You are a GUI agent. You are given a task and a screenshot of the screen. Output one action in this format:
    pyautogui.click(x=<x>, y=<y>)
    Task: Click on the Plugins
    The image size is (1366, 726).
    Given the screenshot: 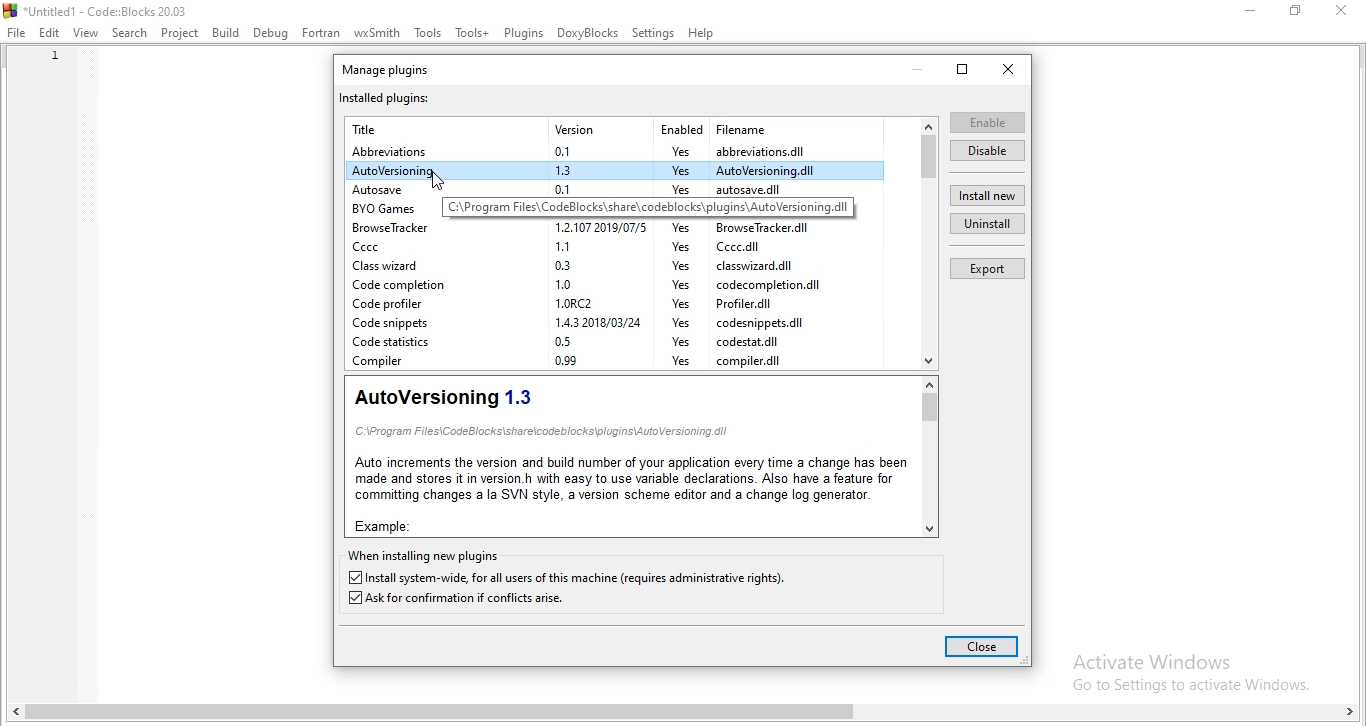 What is the action you would take?
    pyautogui.click(x=523, y=31)
    